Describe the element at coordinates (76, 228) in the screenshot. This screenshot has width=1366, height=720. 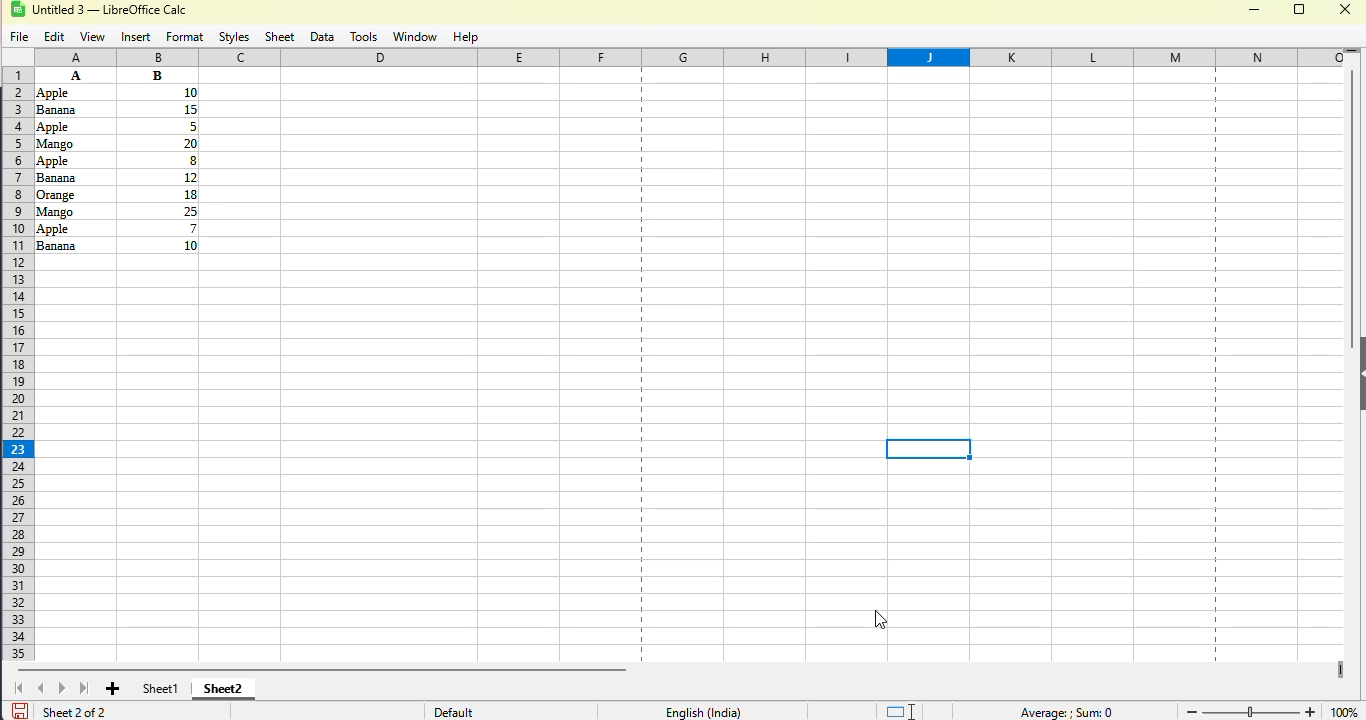
I see `` at that location.